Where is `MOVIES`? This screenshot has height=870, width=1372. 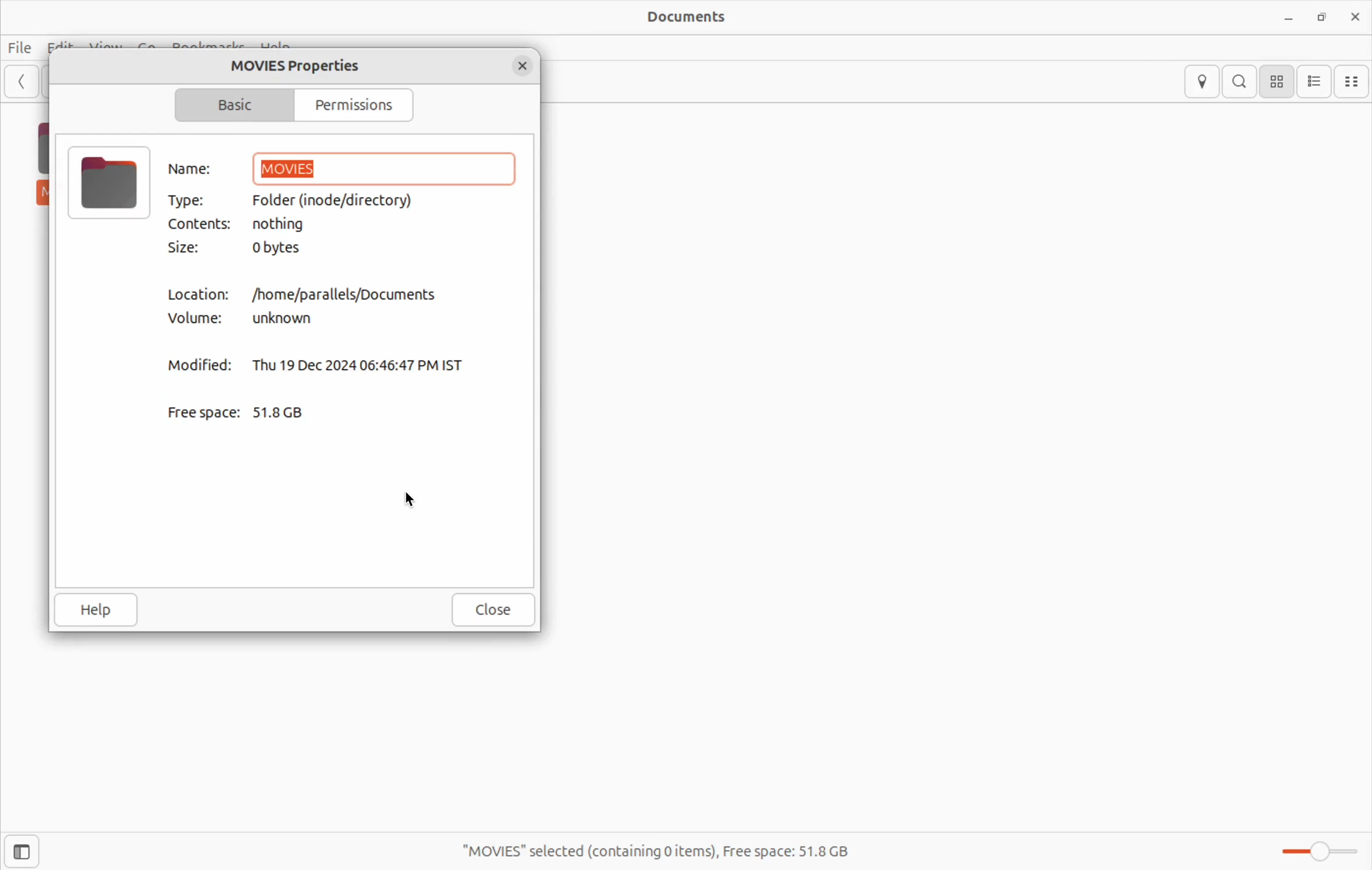
MOVIES is located at coordinates (386, 167).